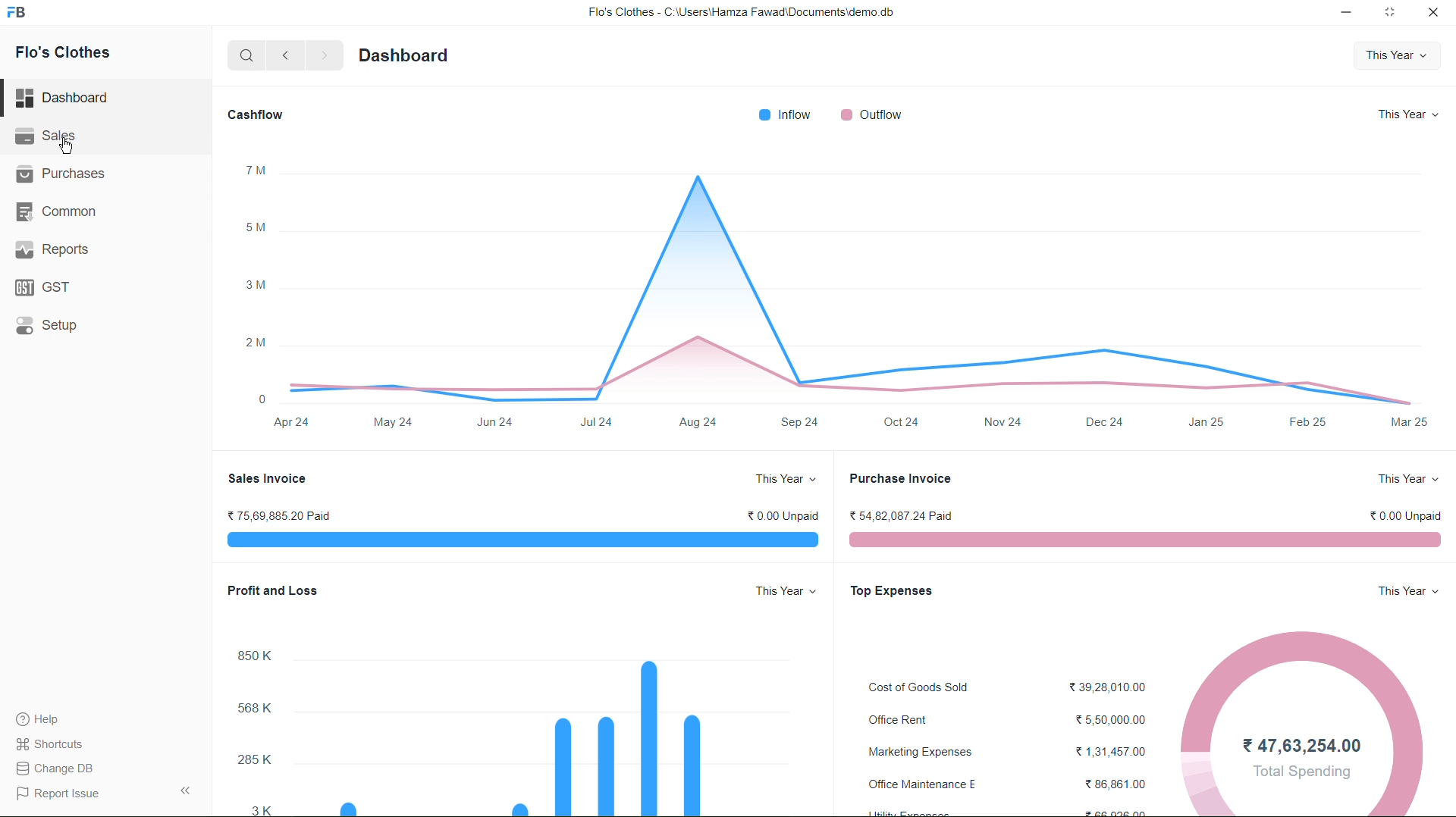 The height and width of the screenshot is (817, 1456). Describe the element at coordinates (51, 250) in the screenshot. I see `Reports` at that location.